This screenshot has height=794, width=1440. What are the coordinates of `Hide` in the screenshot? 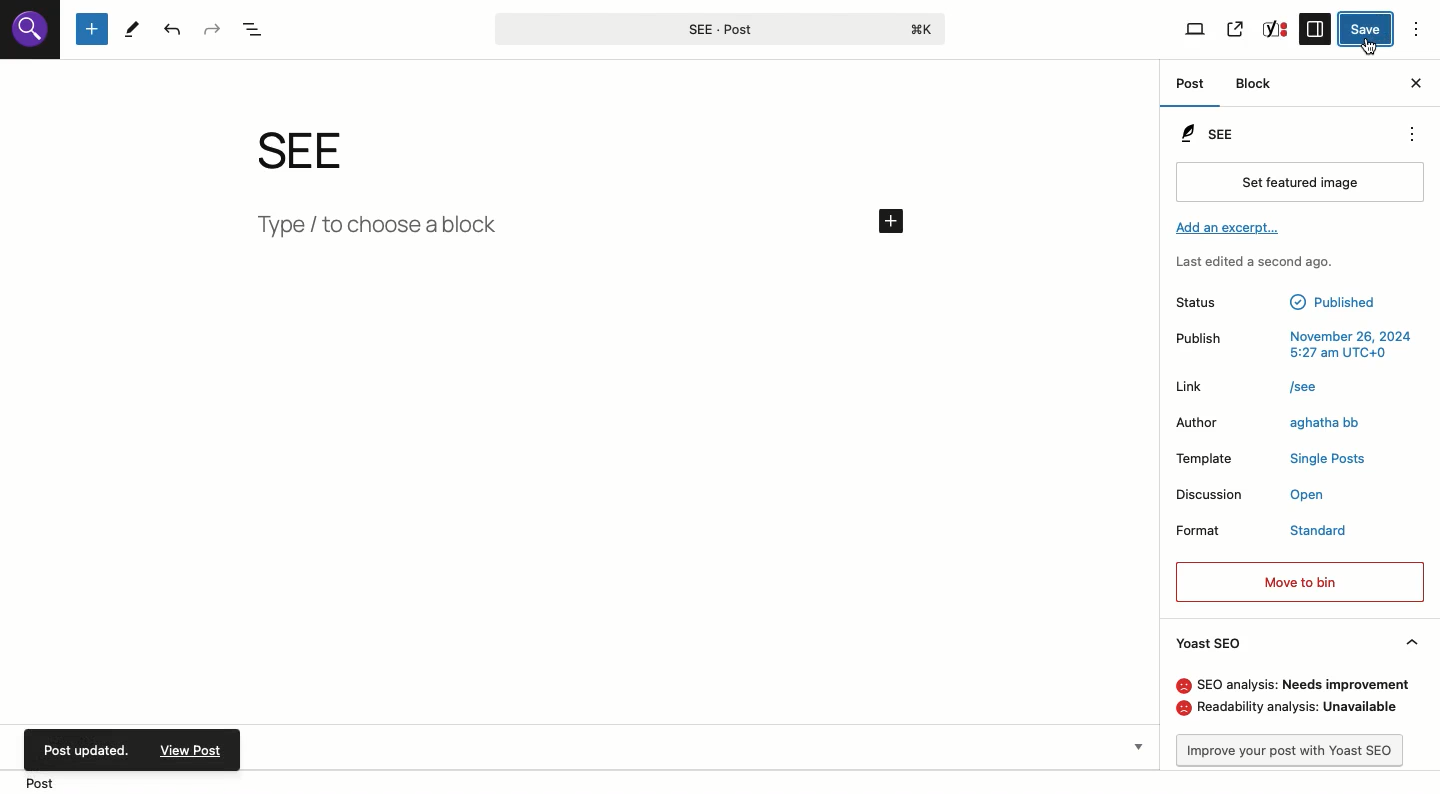 It's located at (1413, 642).